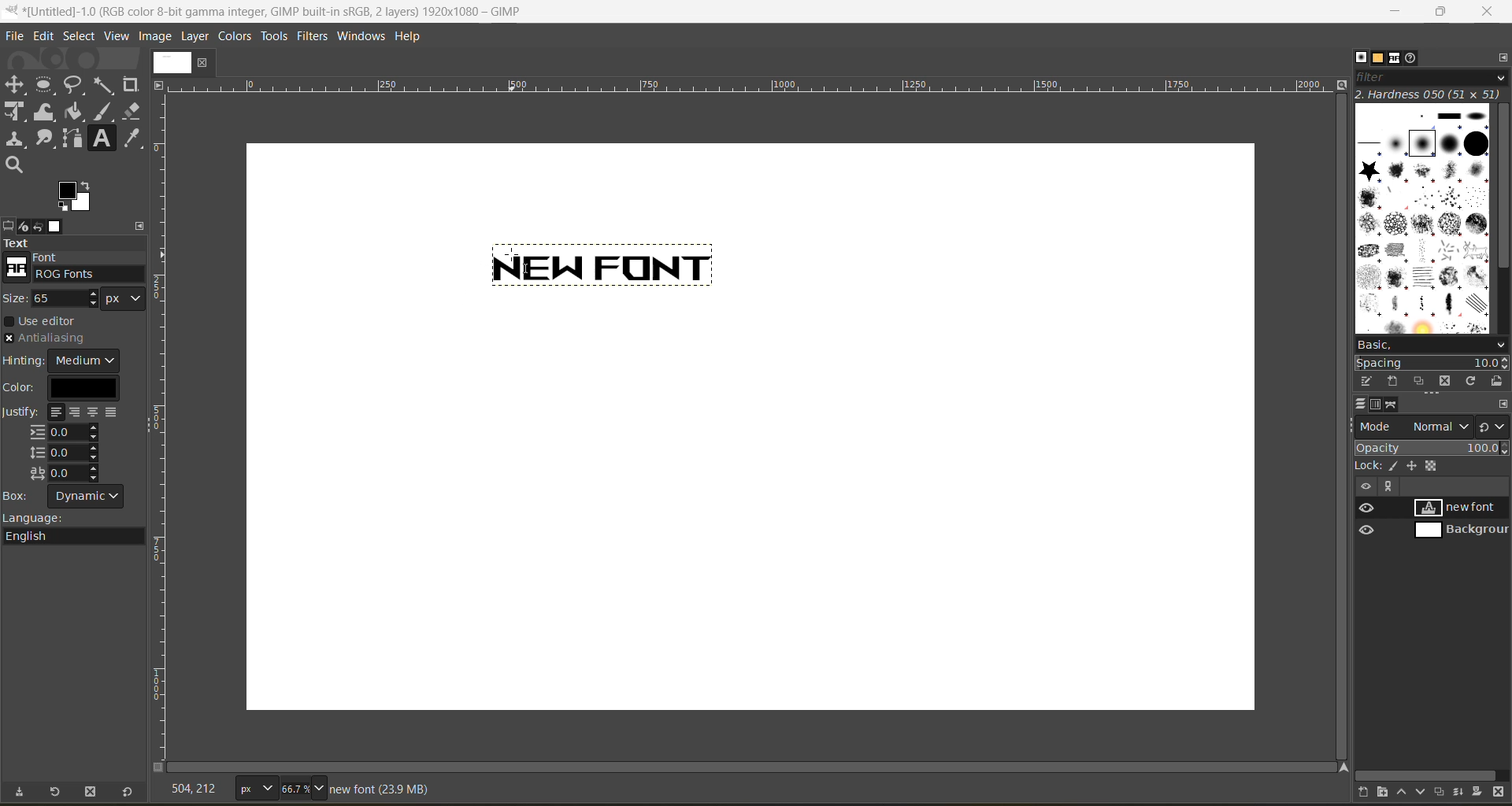 Image resolution: width=1512 pixels, height=806 pixels. What do you see at coordinates (1461, 791) in the screenshot?
I see `merge this layer` at bounding box center [1461, 791].